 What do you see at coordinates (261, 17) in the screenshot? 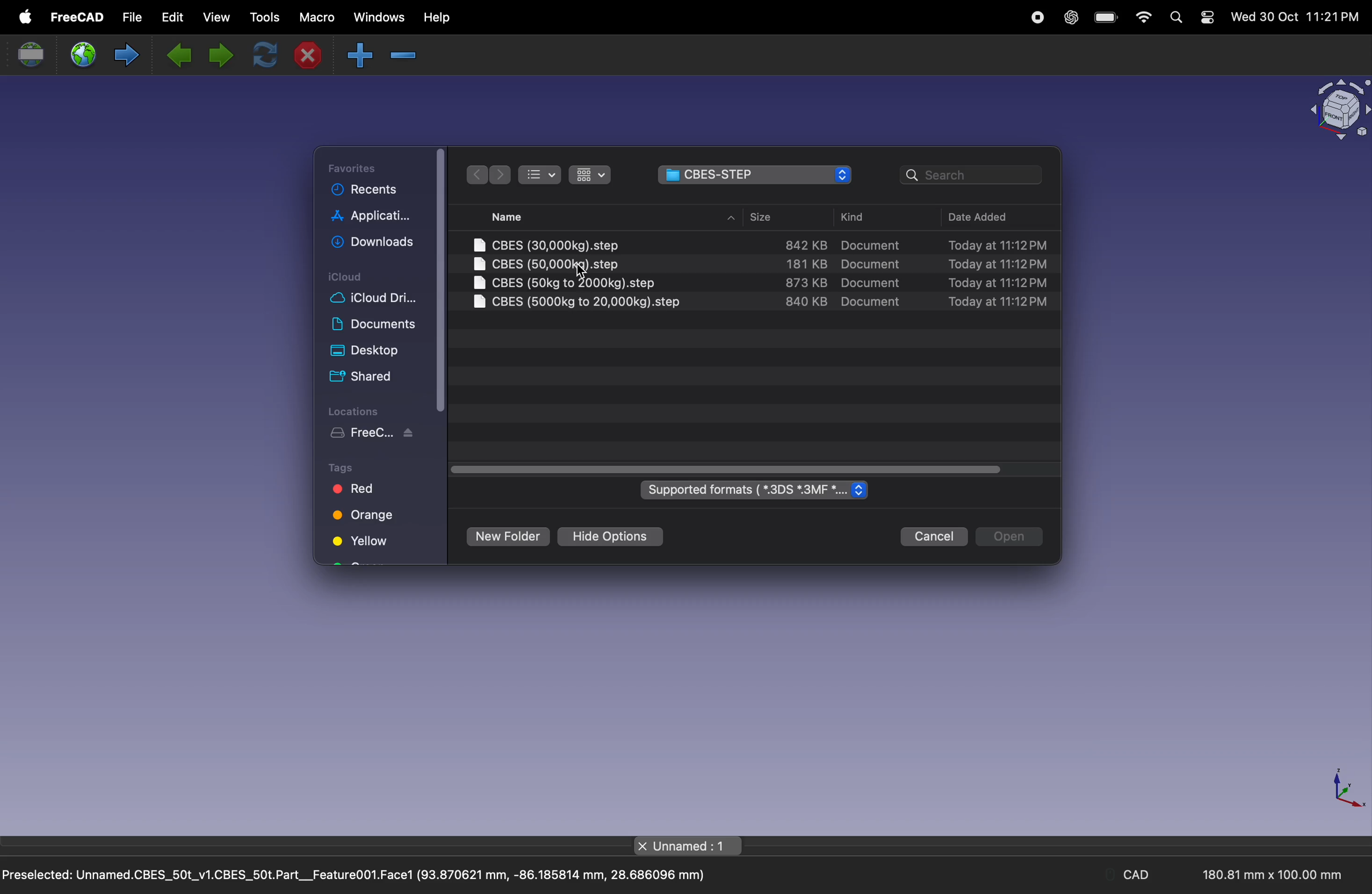
I see `tools` at bounding box center [261, 17].